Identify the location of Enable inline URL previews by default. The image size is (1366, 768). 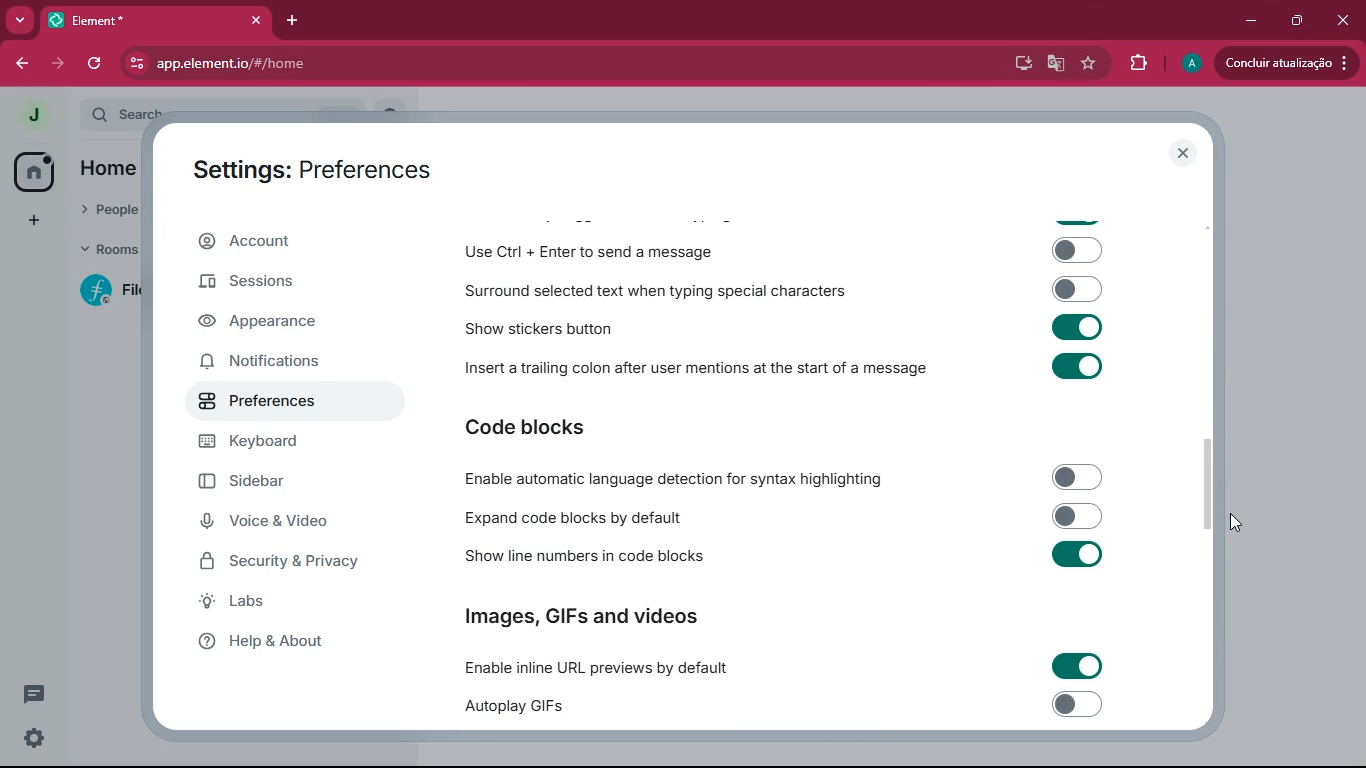
(781, 667).